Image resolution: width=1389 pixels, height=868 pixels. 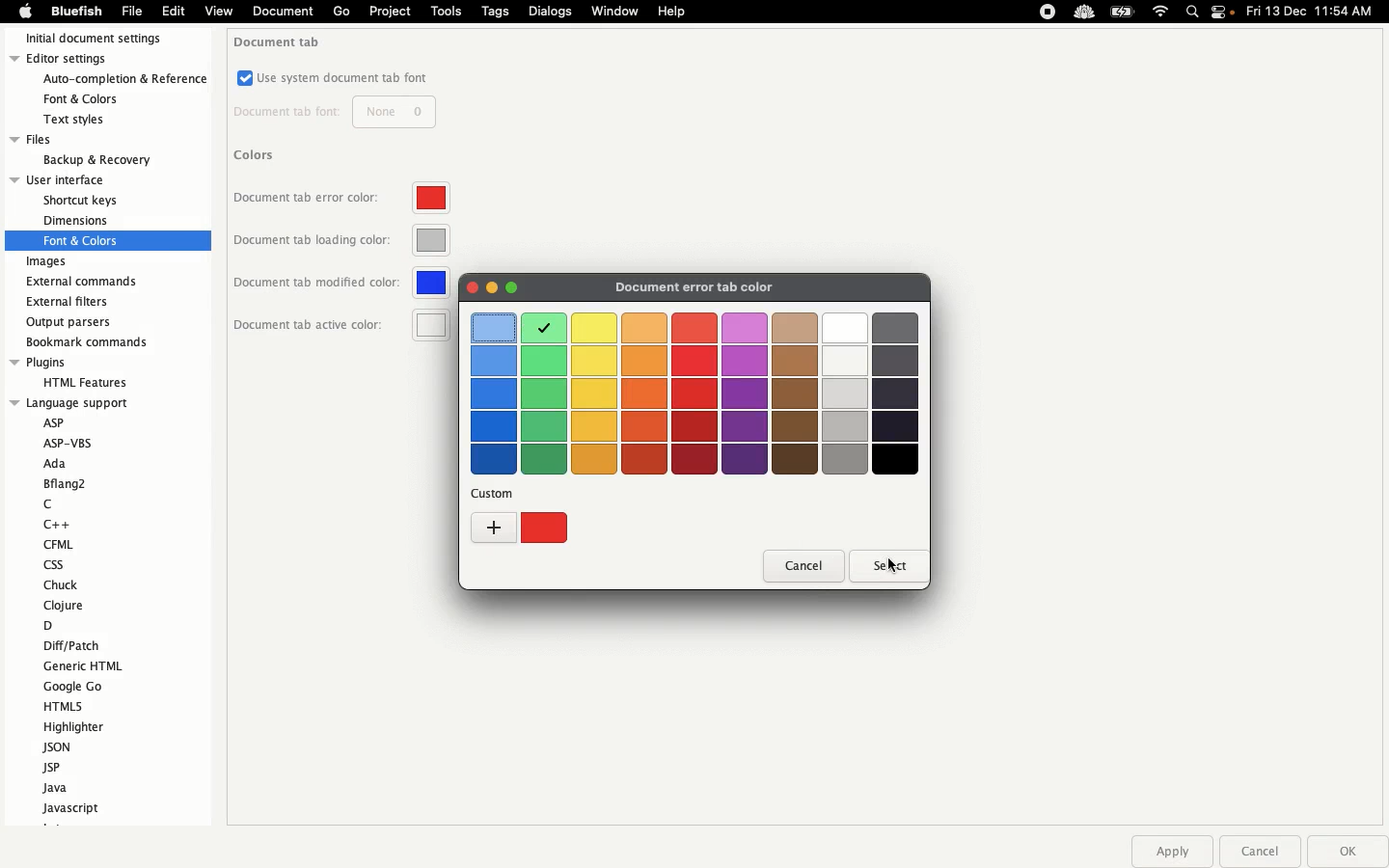 I want to click on Files, so click(x=82, y=139).